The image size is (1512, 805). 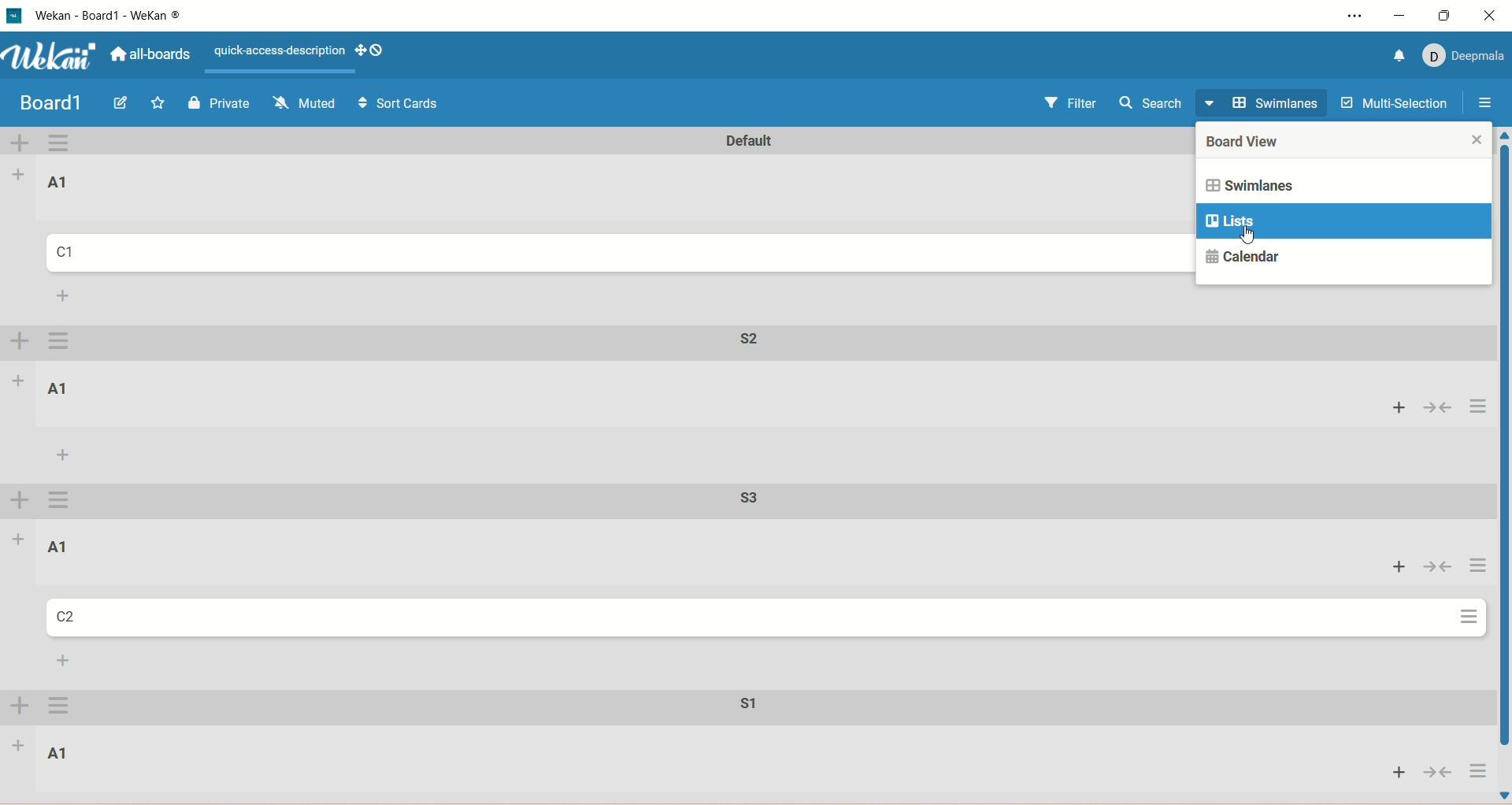 I want to click on default, so click(x=732, y=141).